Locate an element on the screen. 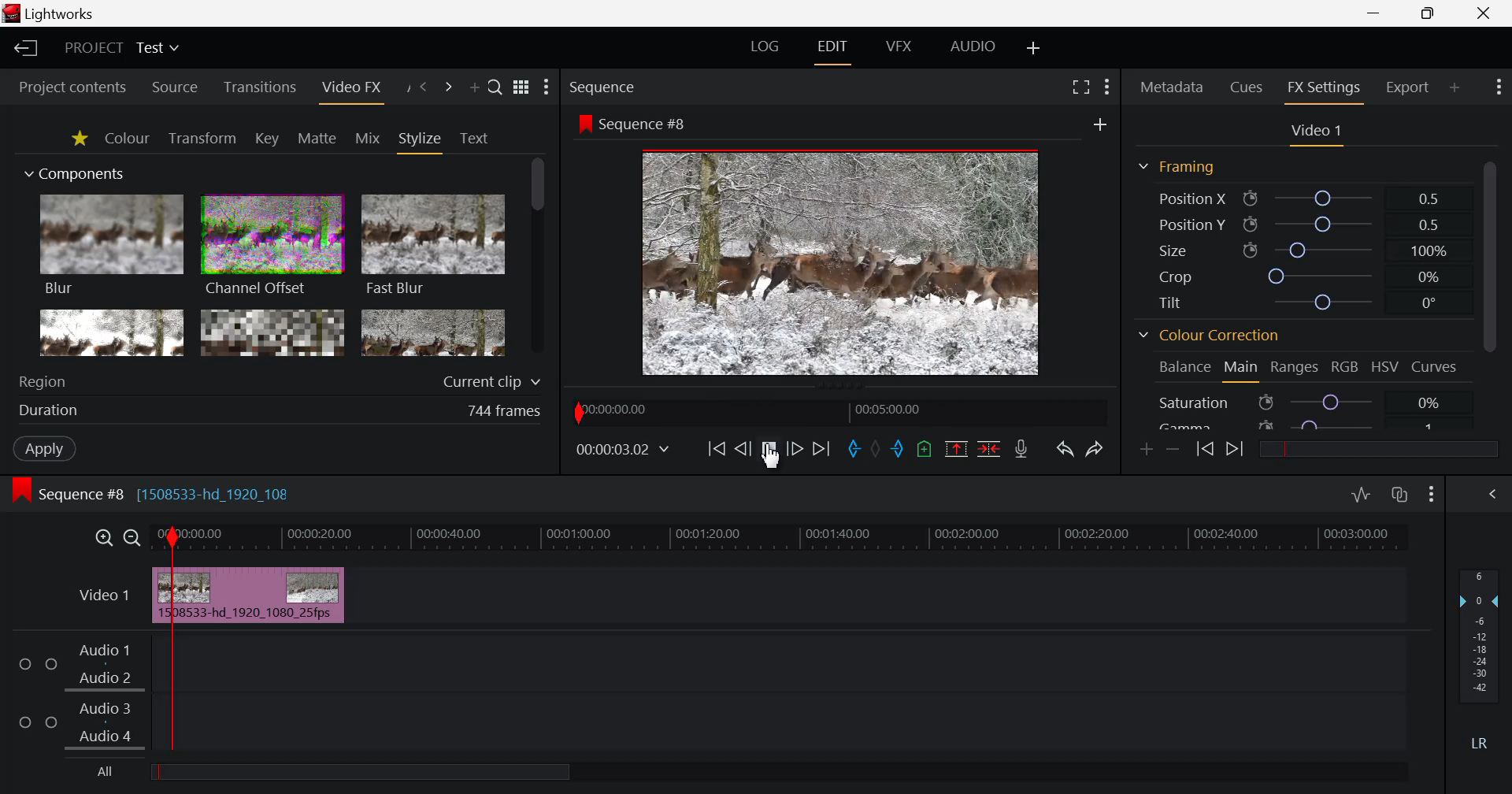  Posterize is located at coordinates (433, 335).